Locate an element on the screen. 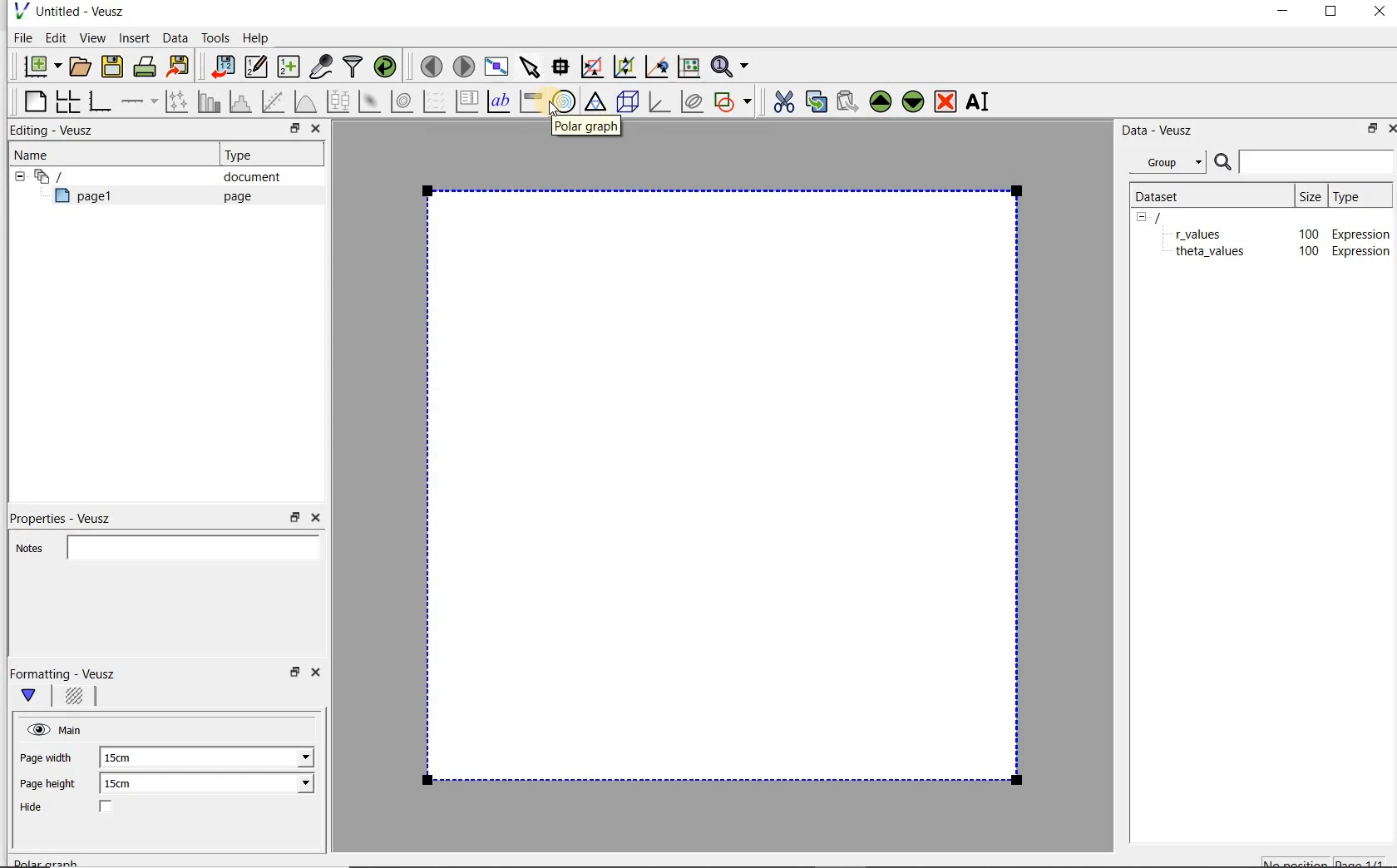 Image resolution: width=1397 pixels, height=868 pixels. Close is located at coordinates (1389, 127).